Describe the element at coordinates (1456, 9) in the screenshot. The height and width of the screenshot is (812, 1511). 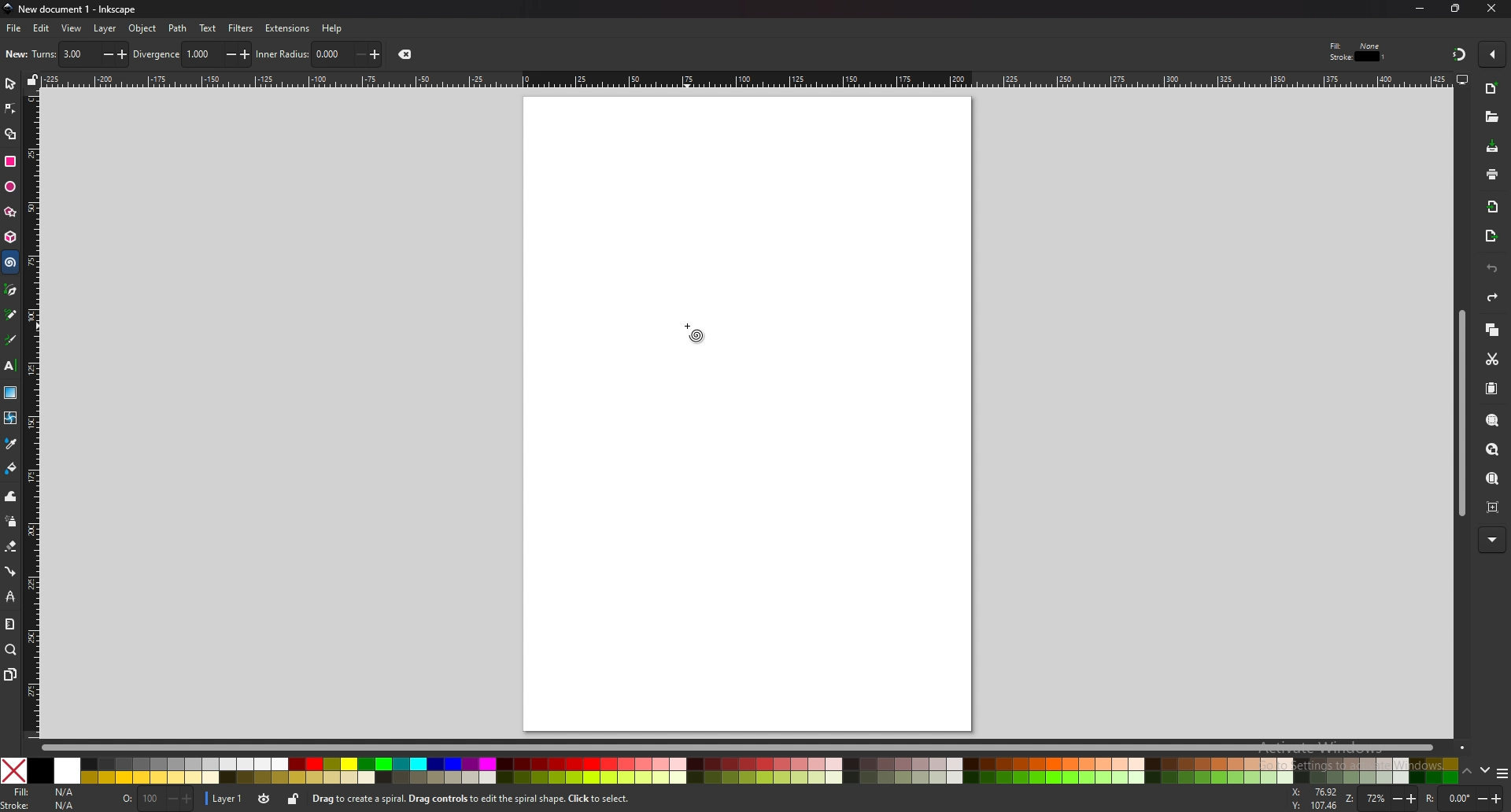
I see `resize` at that location.